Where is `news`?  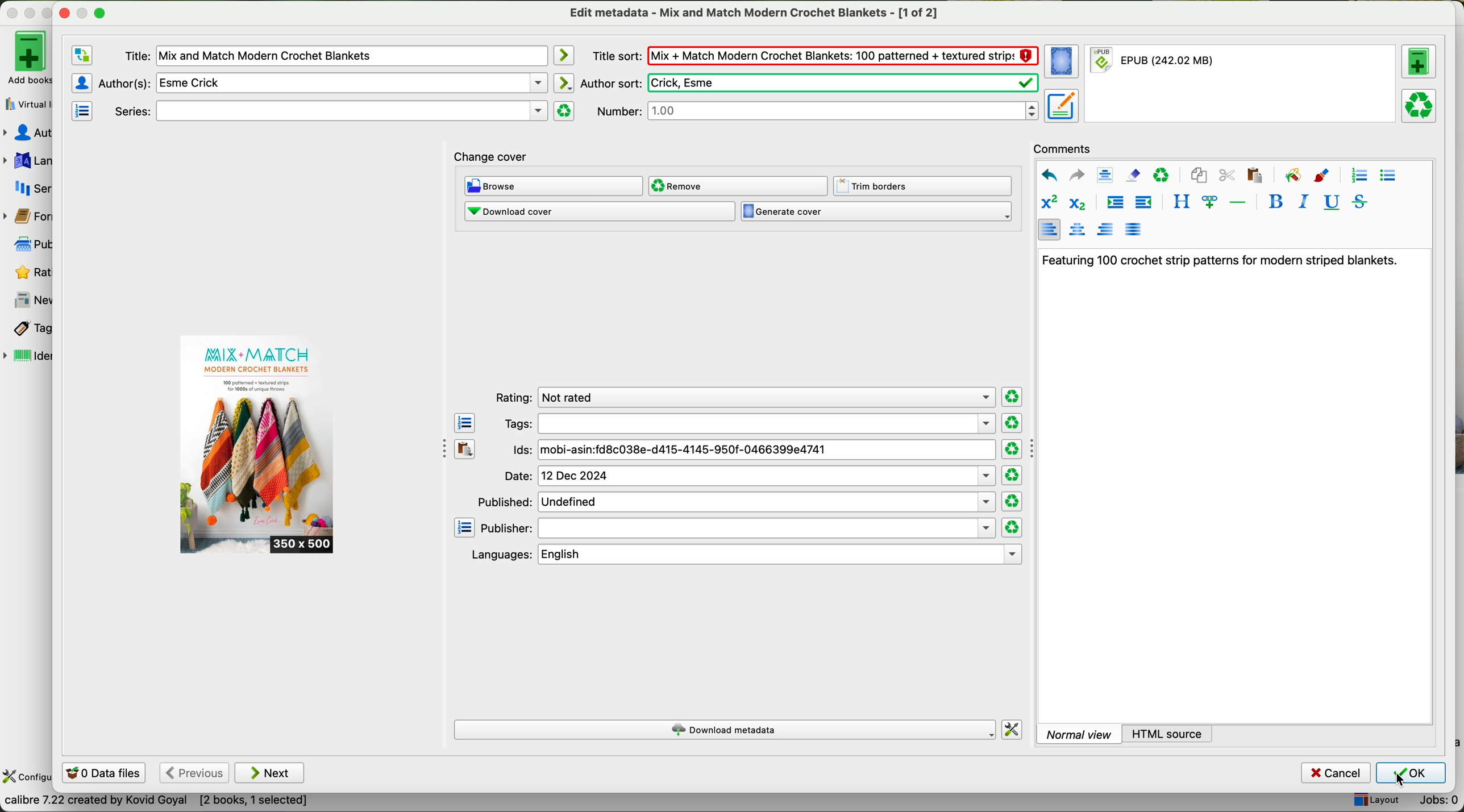 news is located at coordinates (28, 301).